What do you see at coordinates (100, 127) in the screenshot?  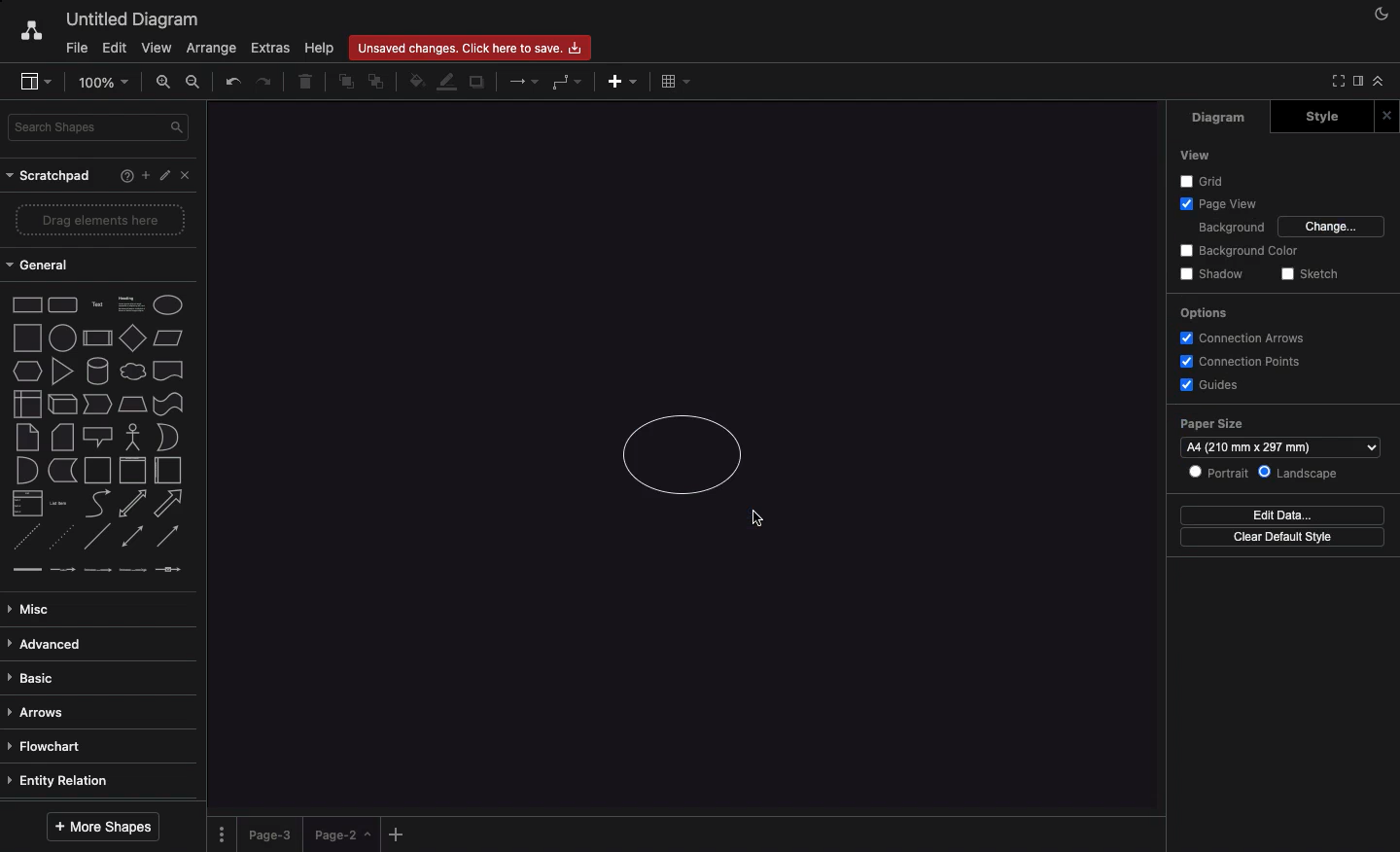 I see `Search shapes` at bounding box center [100, 127].